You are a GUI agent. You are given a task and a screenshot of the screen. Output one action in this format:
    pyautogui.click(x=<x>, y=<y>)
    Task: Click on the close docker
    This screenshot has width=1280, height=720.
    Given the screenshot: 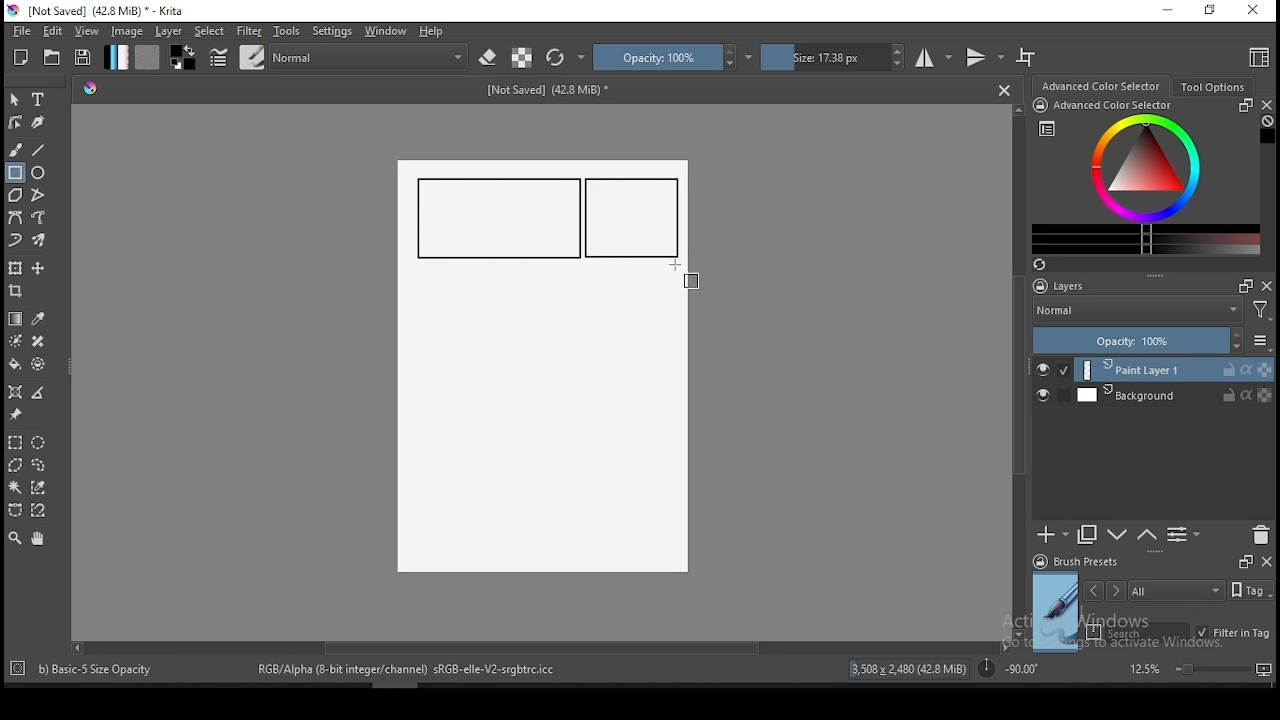 What is the action you would take?
    pyautogui.click(x=1267, y=285)
    